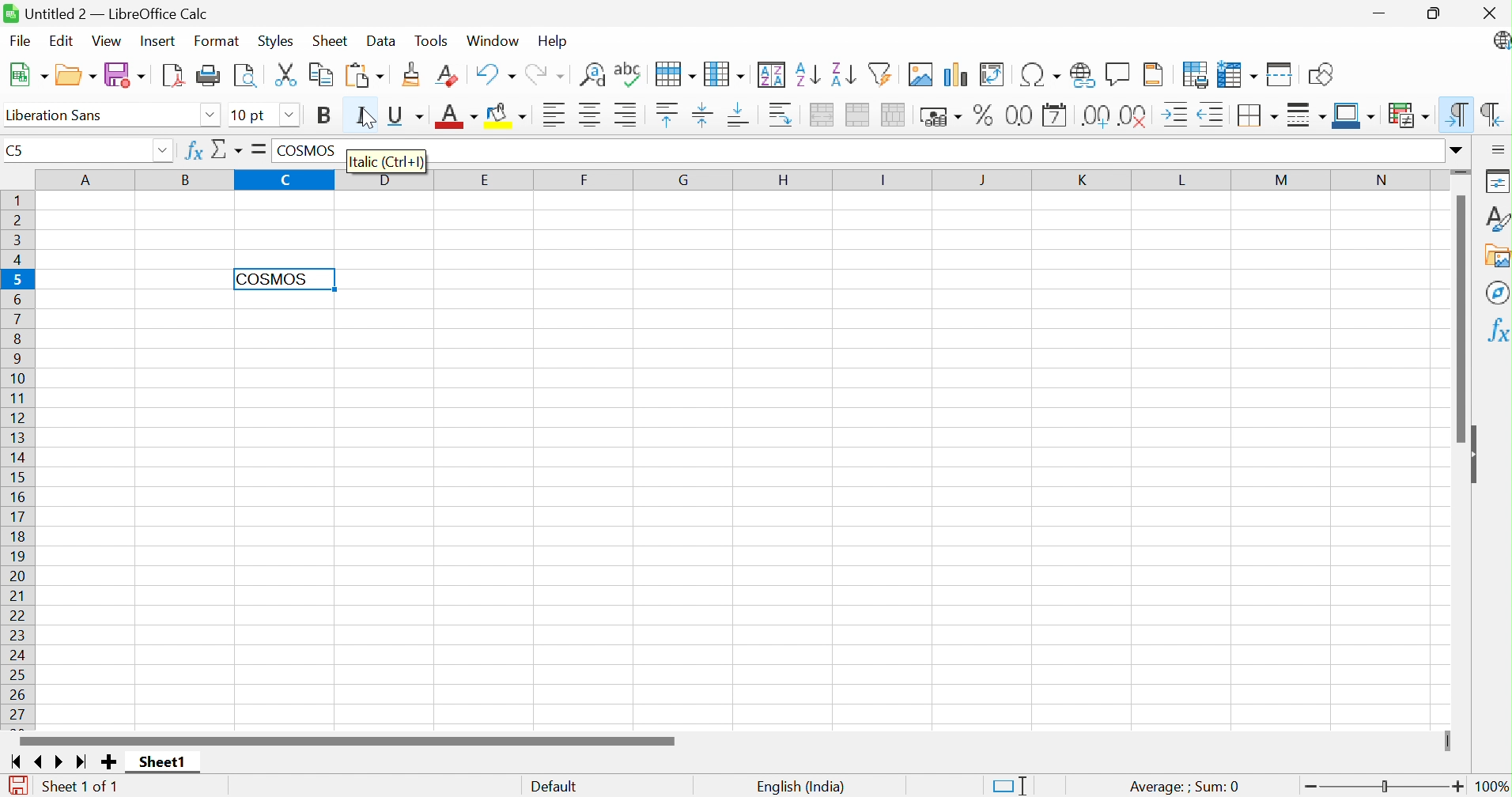  What do you see at coordinates (1321, 75) in the screenshot?
I see `Show draw functions` at bounding box center [1321, 75].